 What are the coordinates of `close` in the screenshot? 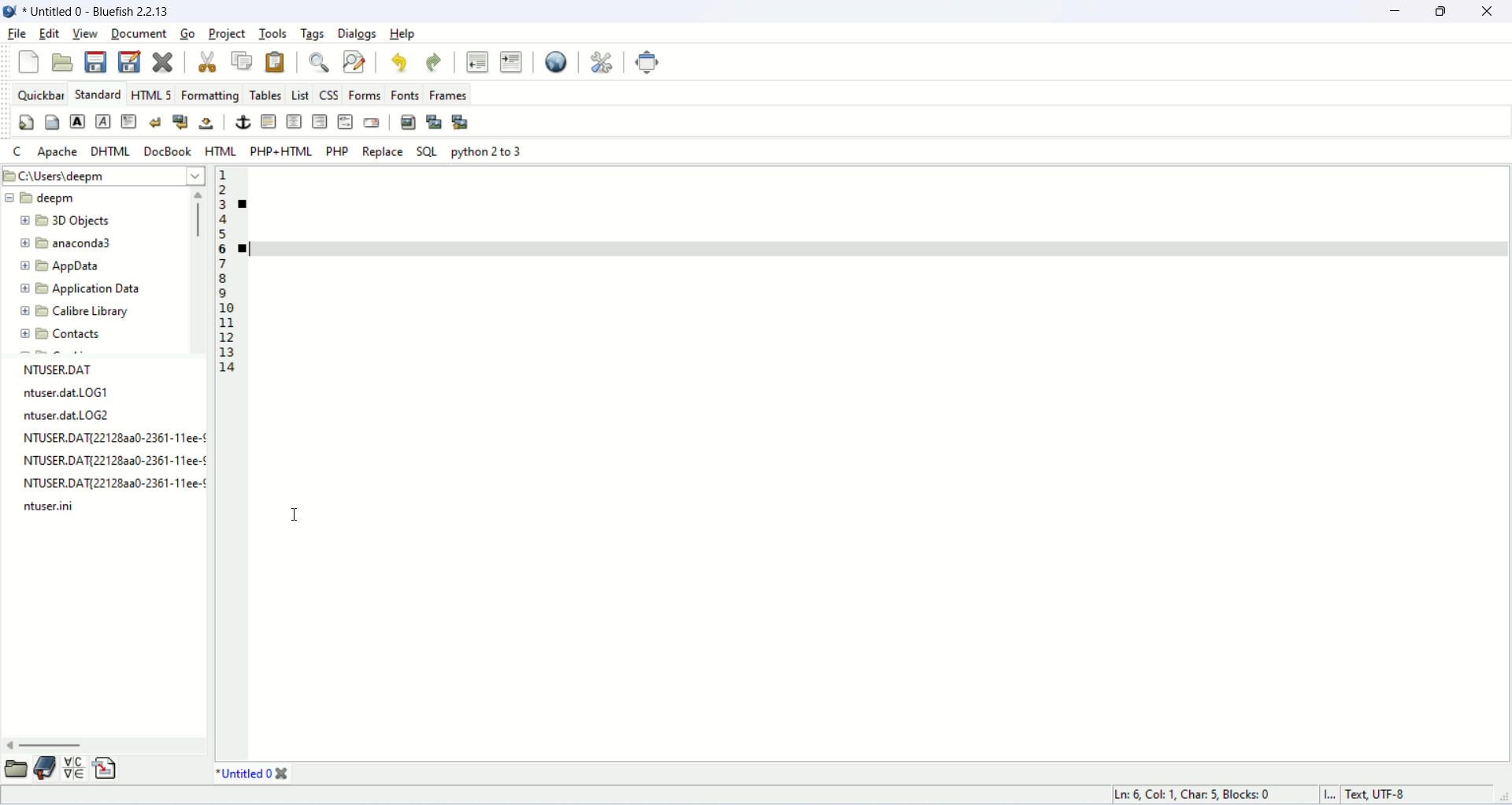 It's located at (161, 63).